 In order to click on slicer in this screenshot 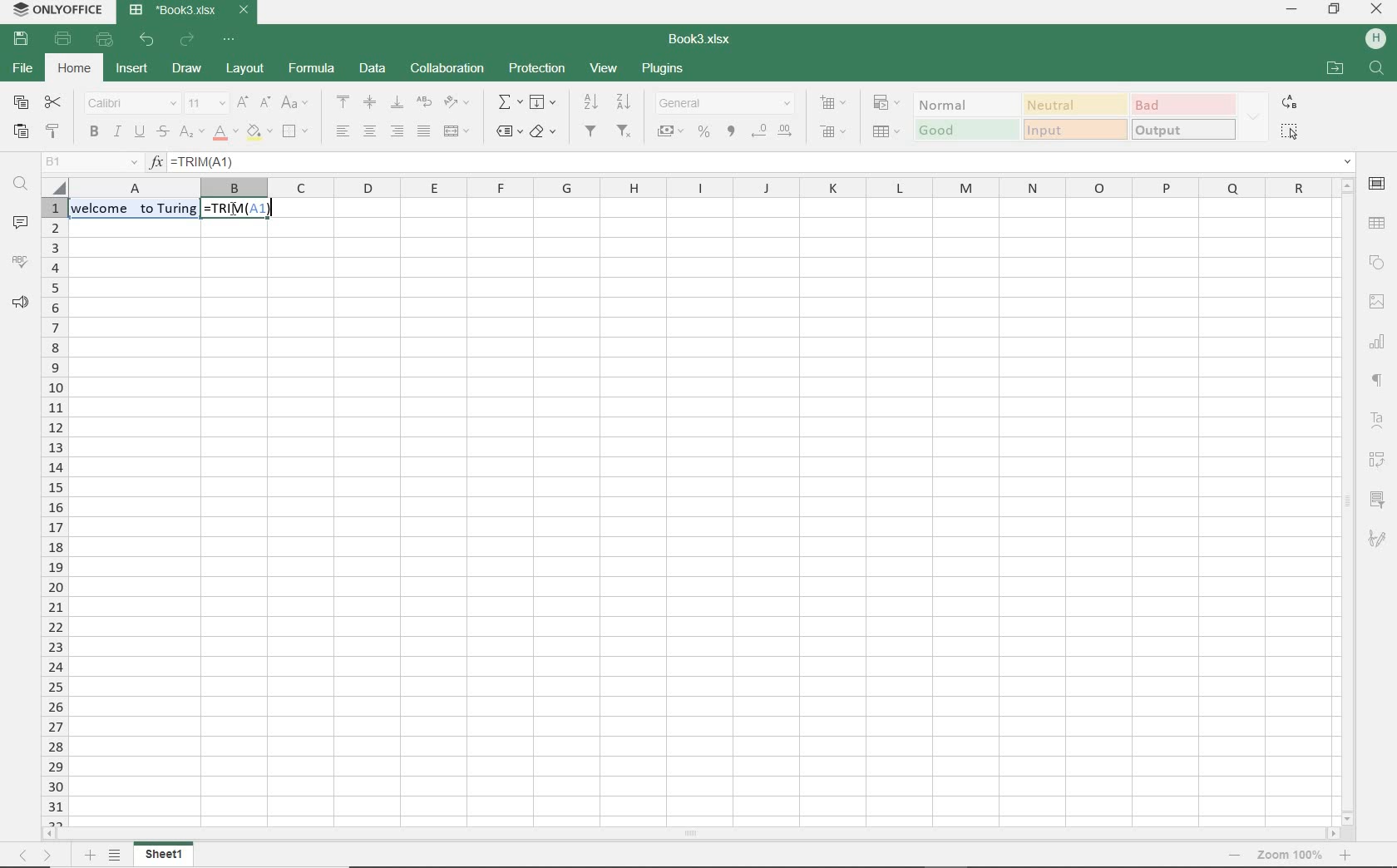, I will do `click(1378, 498)`.